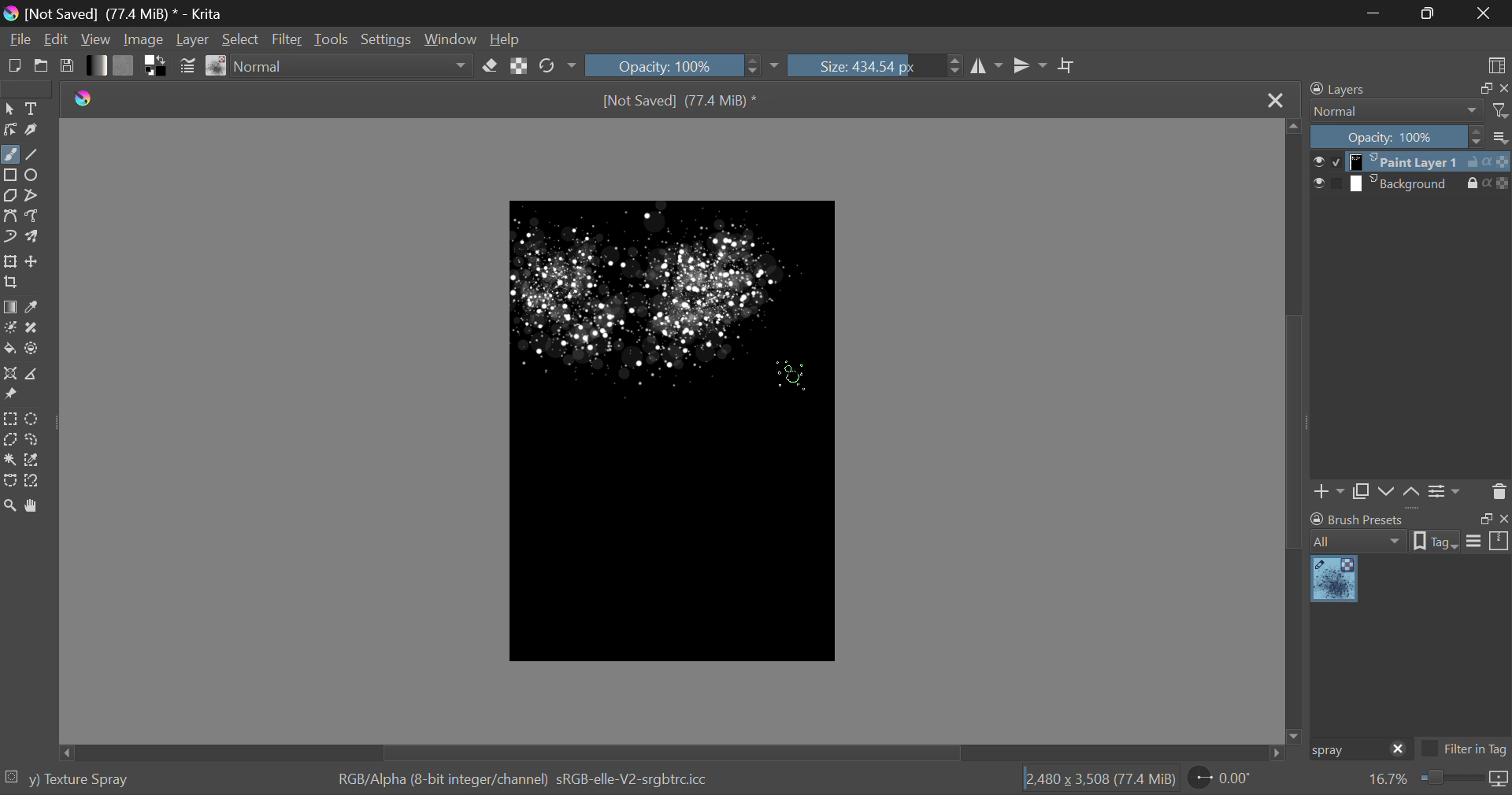 This screenshot has height=795, width=1512. Describe the element at coordinates (490, 66) in the screenshot. I see `Eraser` at that location.